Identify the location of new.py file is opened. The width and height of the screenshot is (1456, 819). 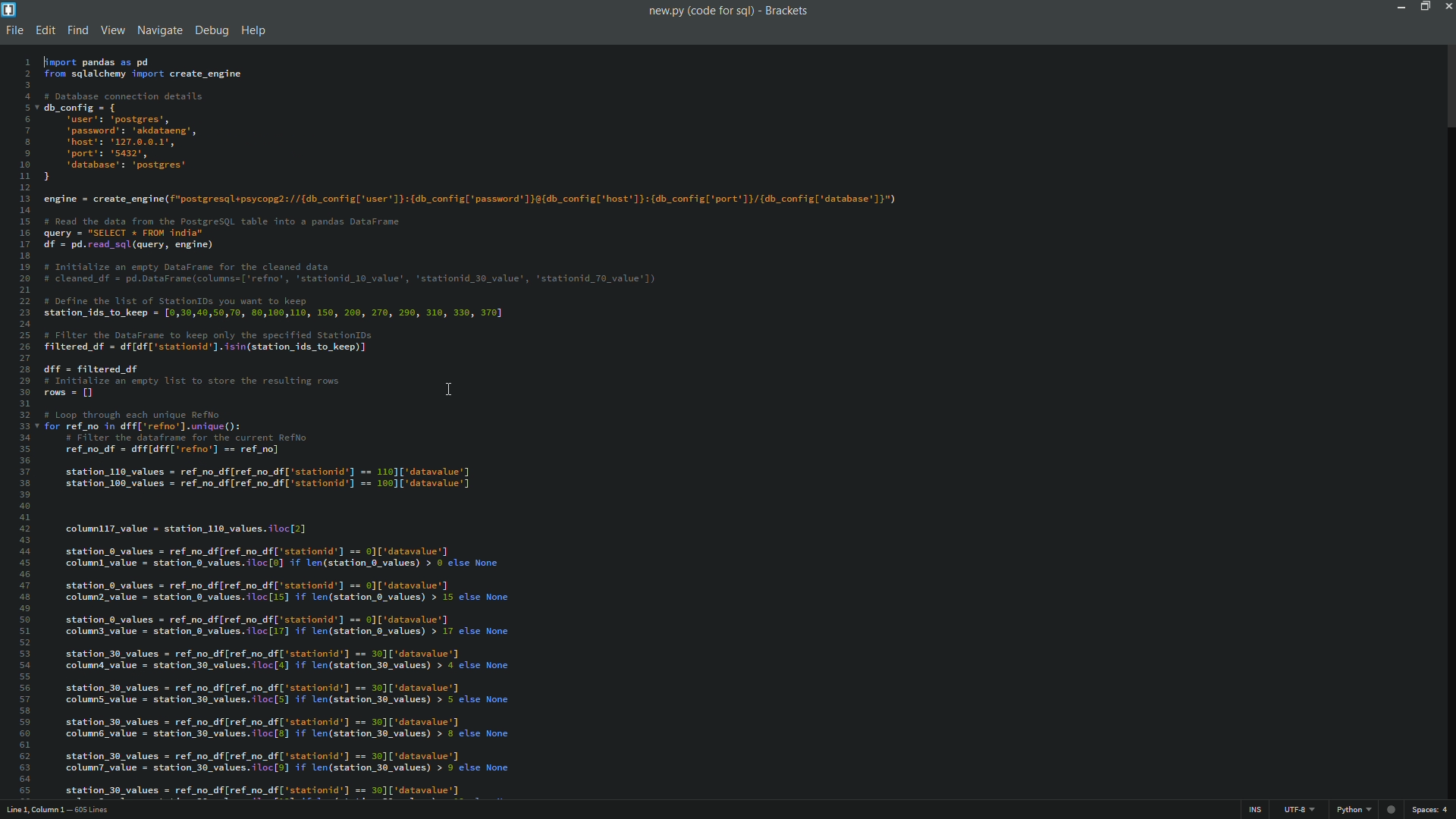
(662, 11).